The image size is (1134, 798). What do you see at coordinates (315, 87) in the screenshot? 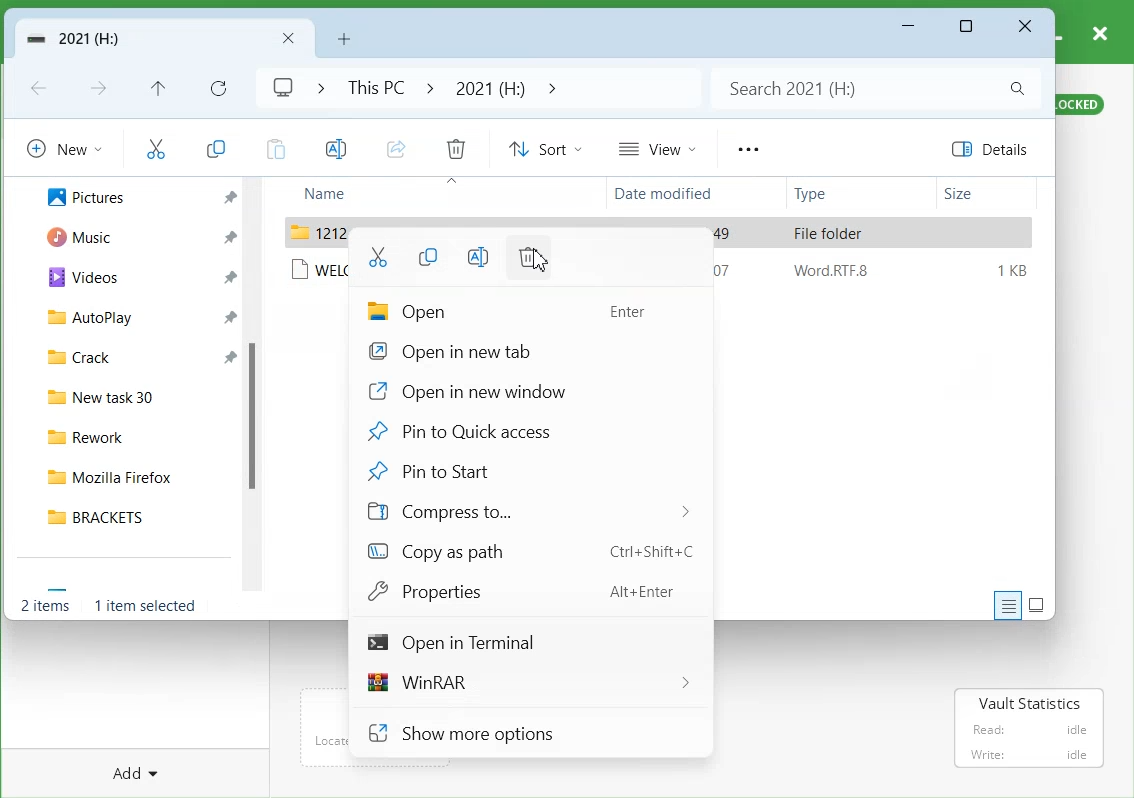
I see `Drop down box` at bounding box center [315, 87].